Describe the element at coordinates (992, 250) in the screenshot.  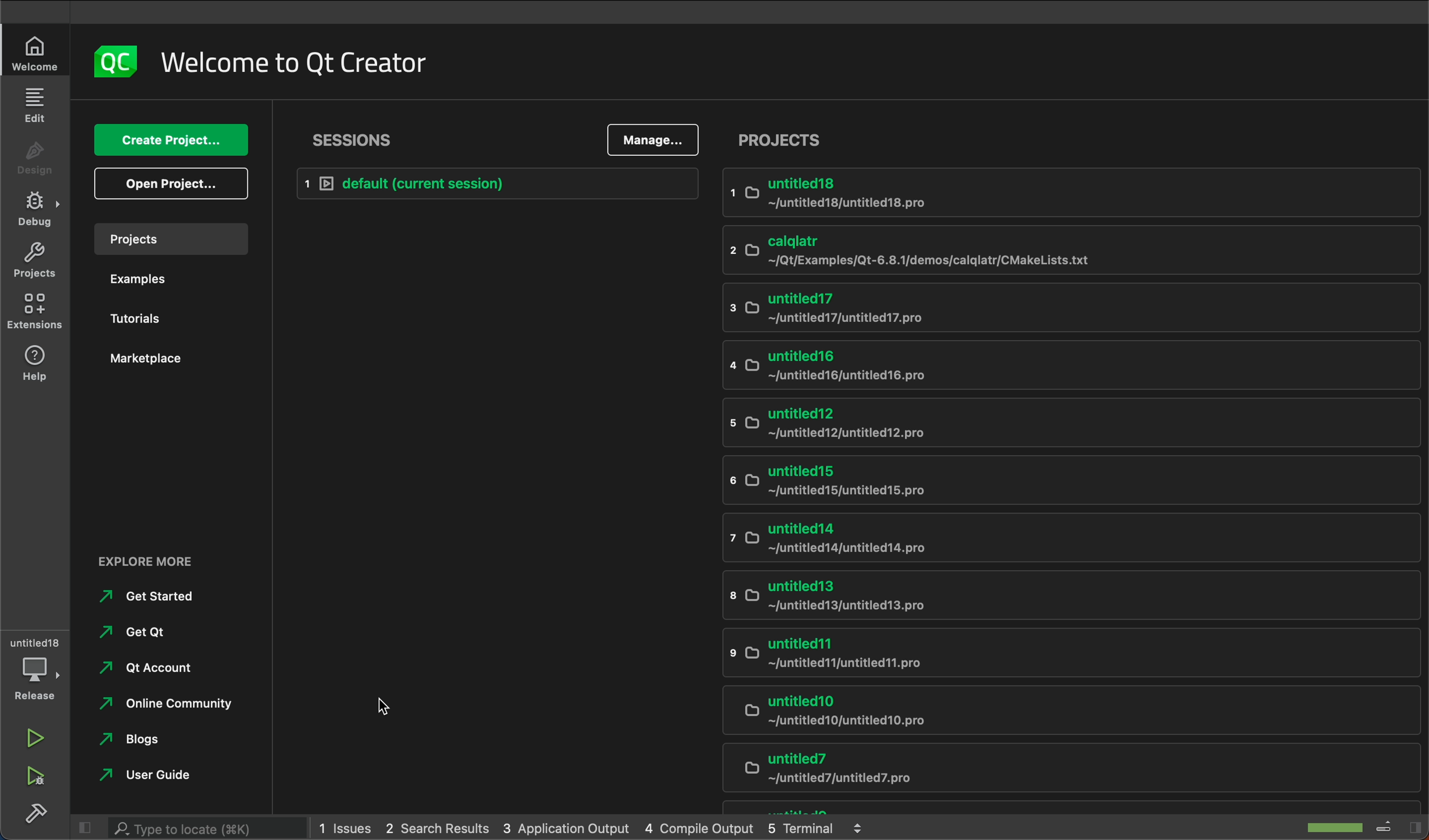
I see `calqlatr` at that location.